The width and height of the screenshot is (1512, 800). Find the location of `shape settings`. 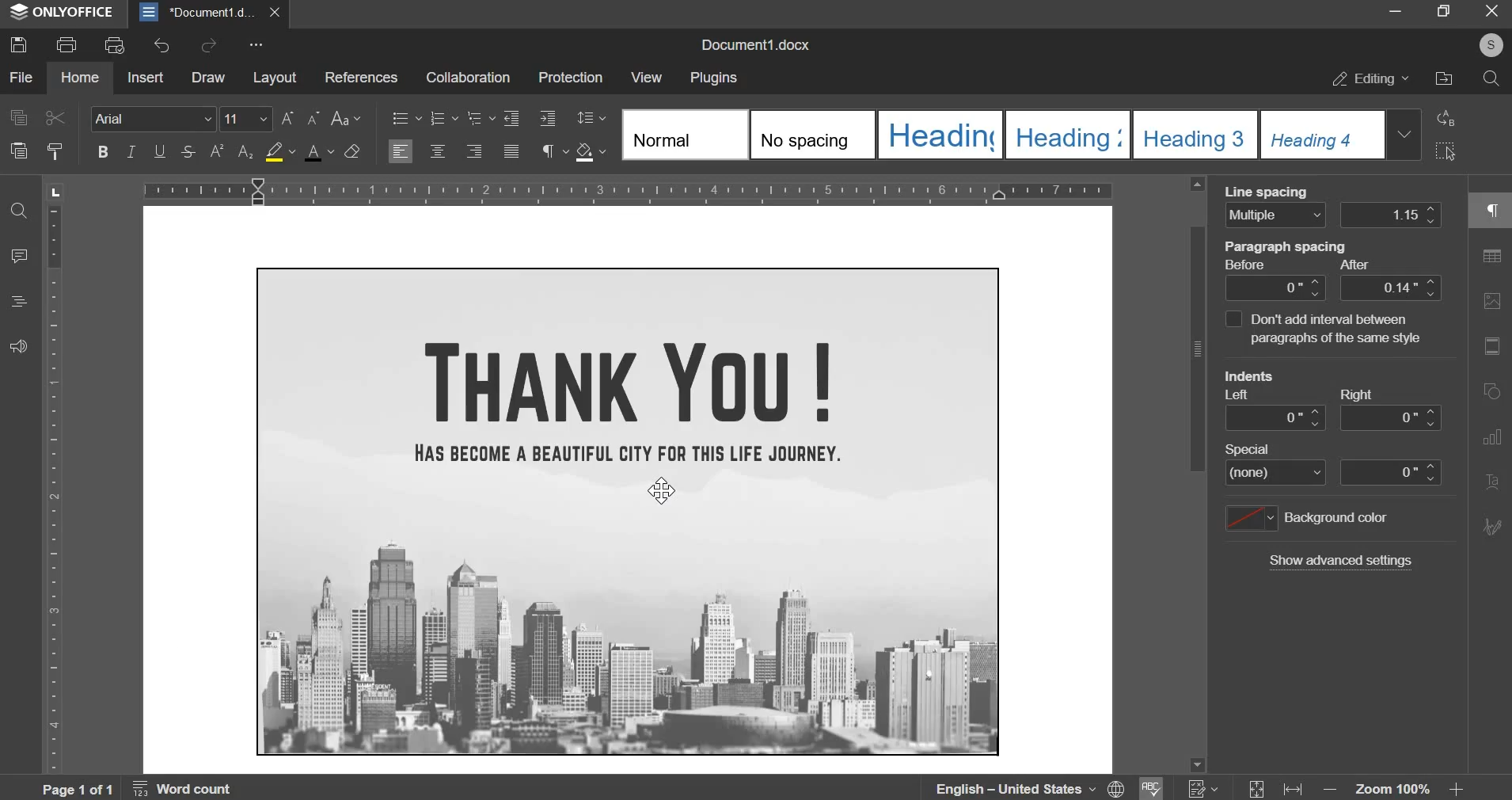

shape settings is located at coordinates (1495, 390).